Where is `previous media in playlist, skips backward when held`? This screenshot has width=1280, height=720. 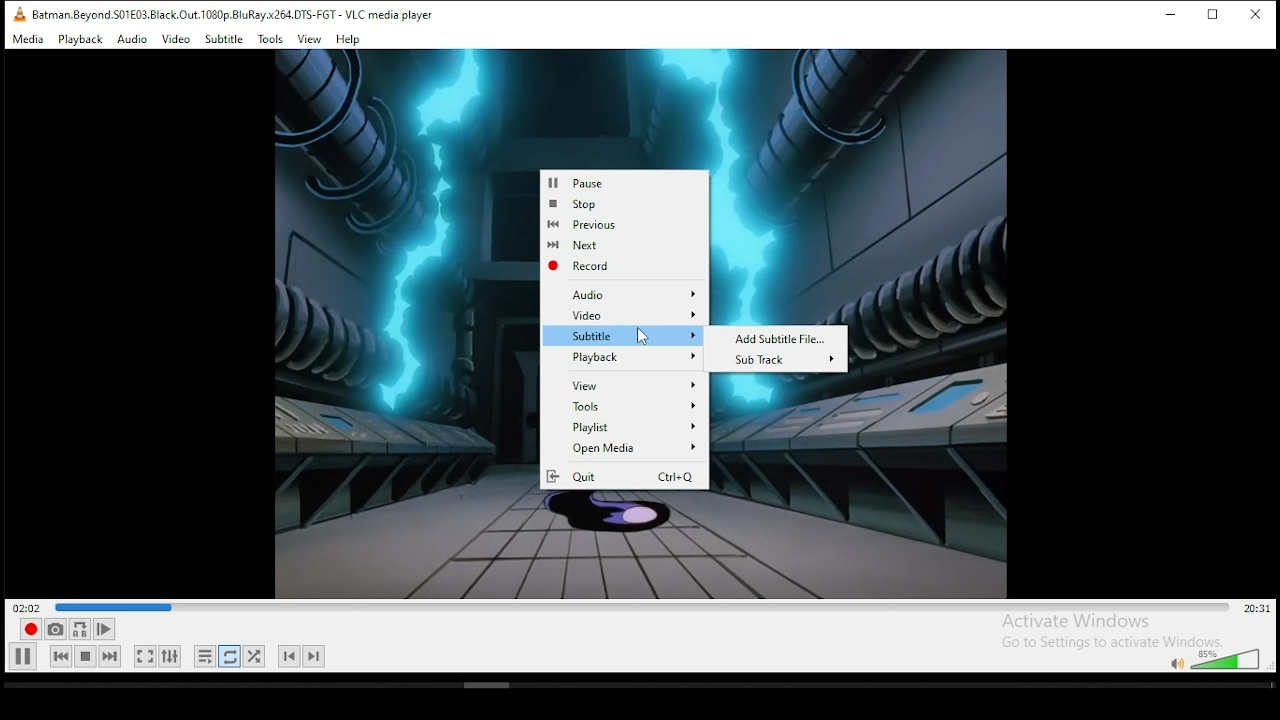 previous media in playlist, skips backward when held is located at coordinates (61, 657).